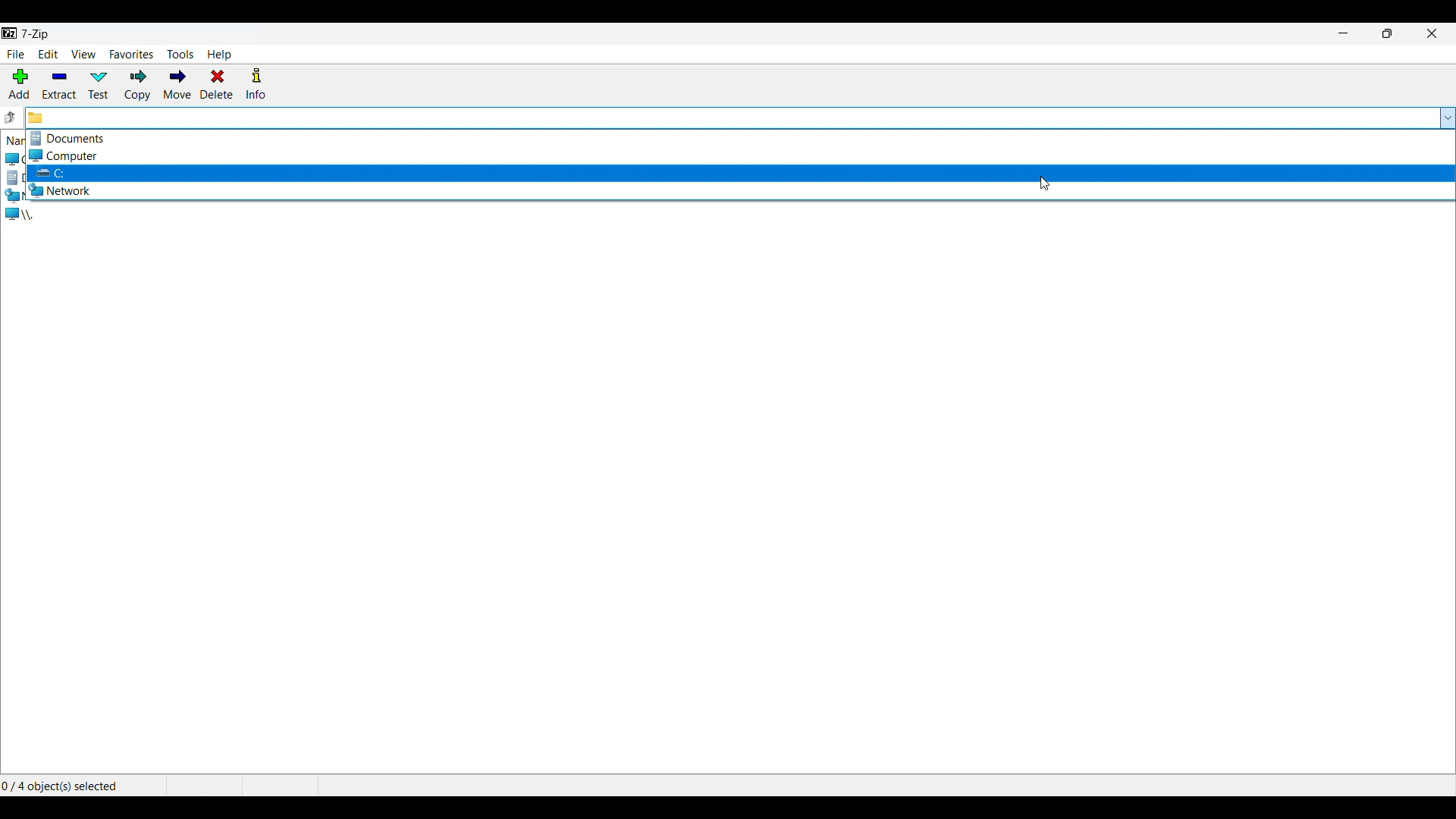 This screenshot has width=1456, height=819. I want to click on Help menu, so click(218, 55).